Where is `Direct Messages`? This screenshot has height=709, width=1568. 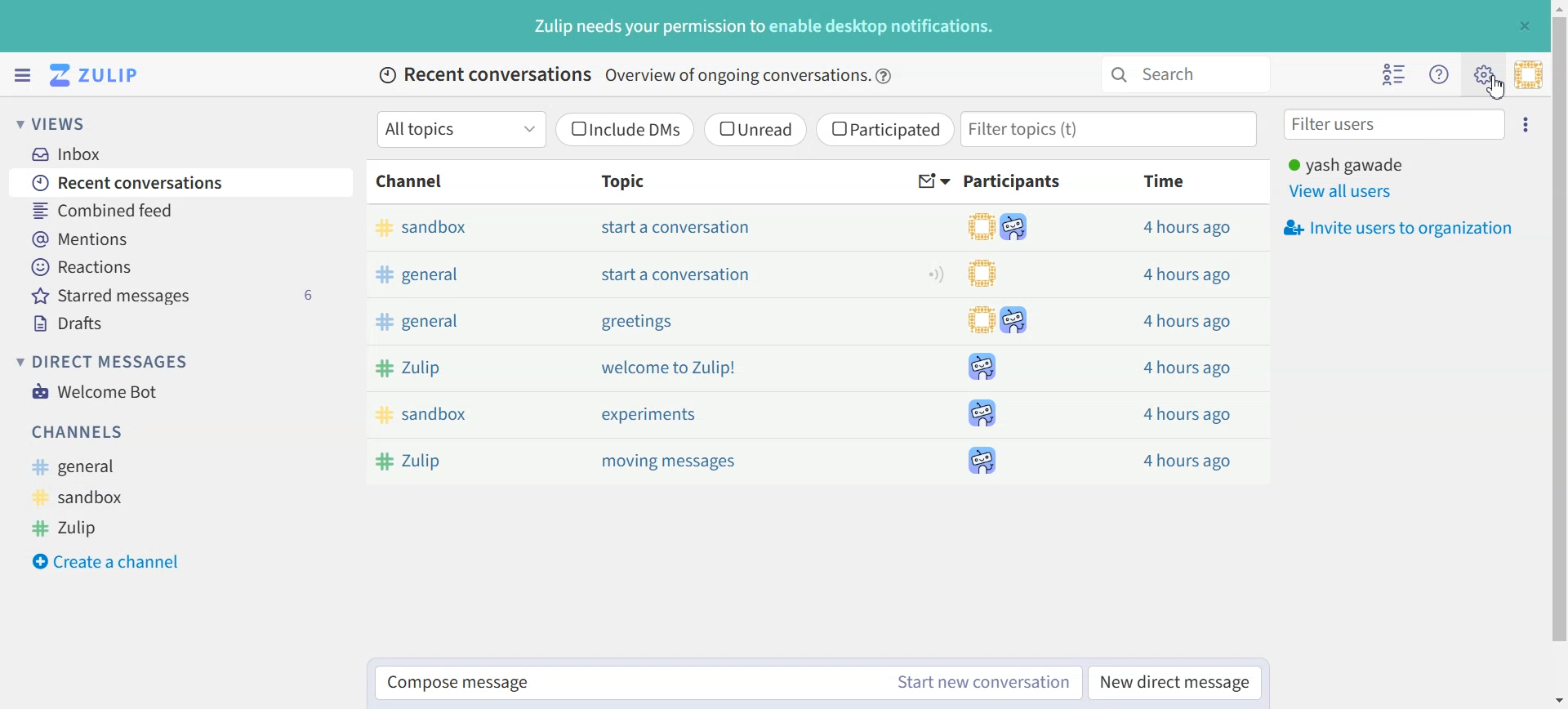
Direct Messages is located at coordinates (107, 361).